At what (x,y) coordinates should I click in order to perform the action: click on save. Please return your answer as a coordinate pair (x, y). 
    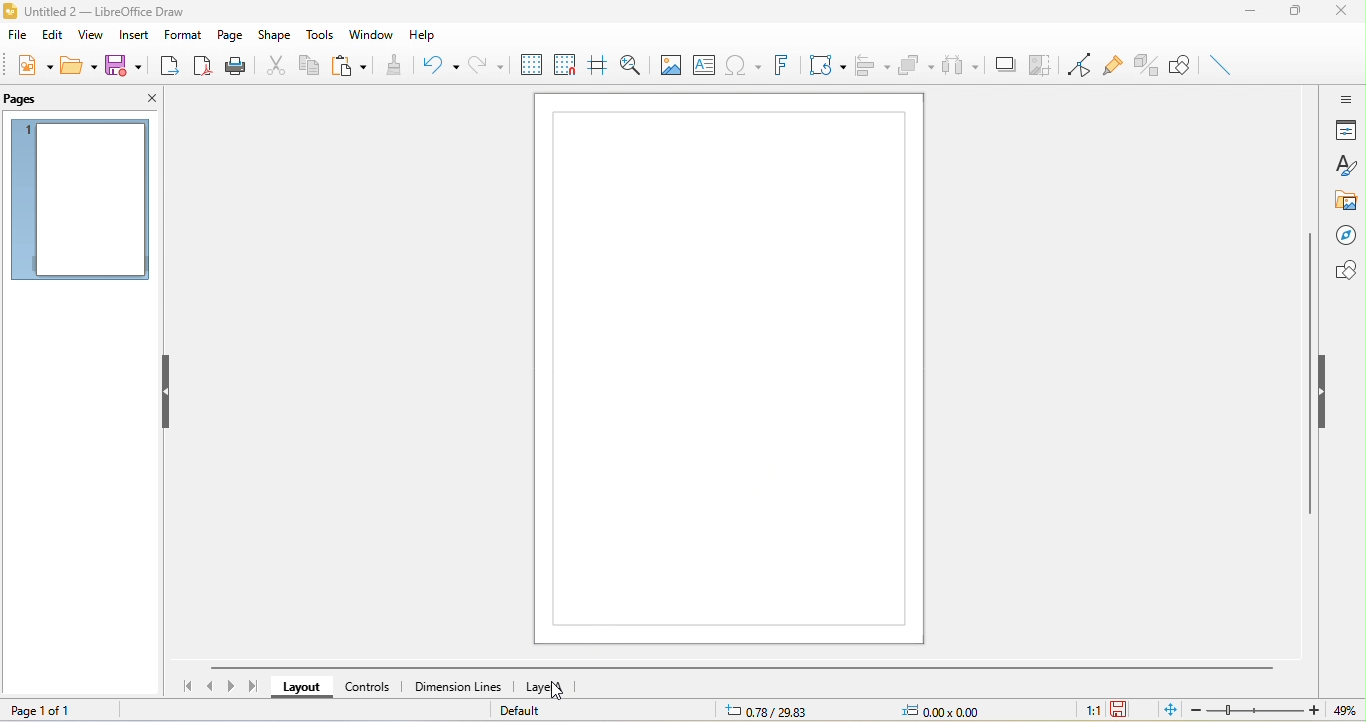
    Looking at the image, I should click on (125, 67).